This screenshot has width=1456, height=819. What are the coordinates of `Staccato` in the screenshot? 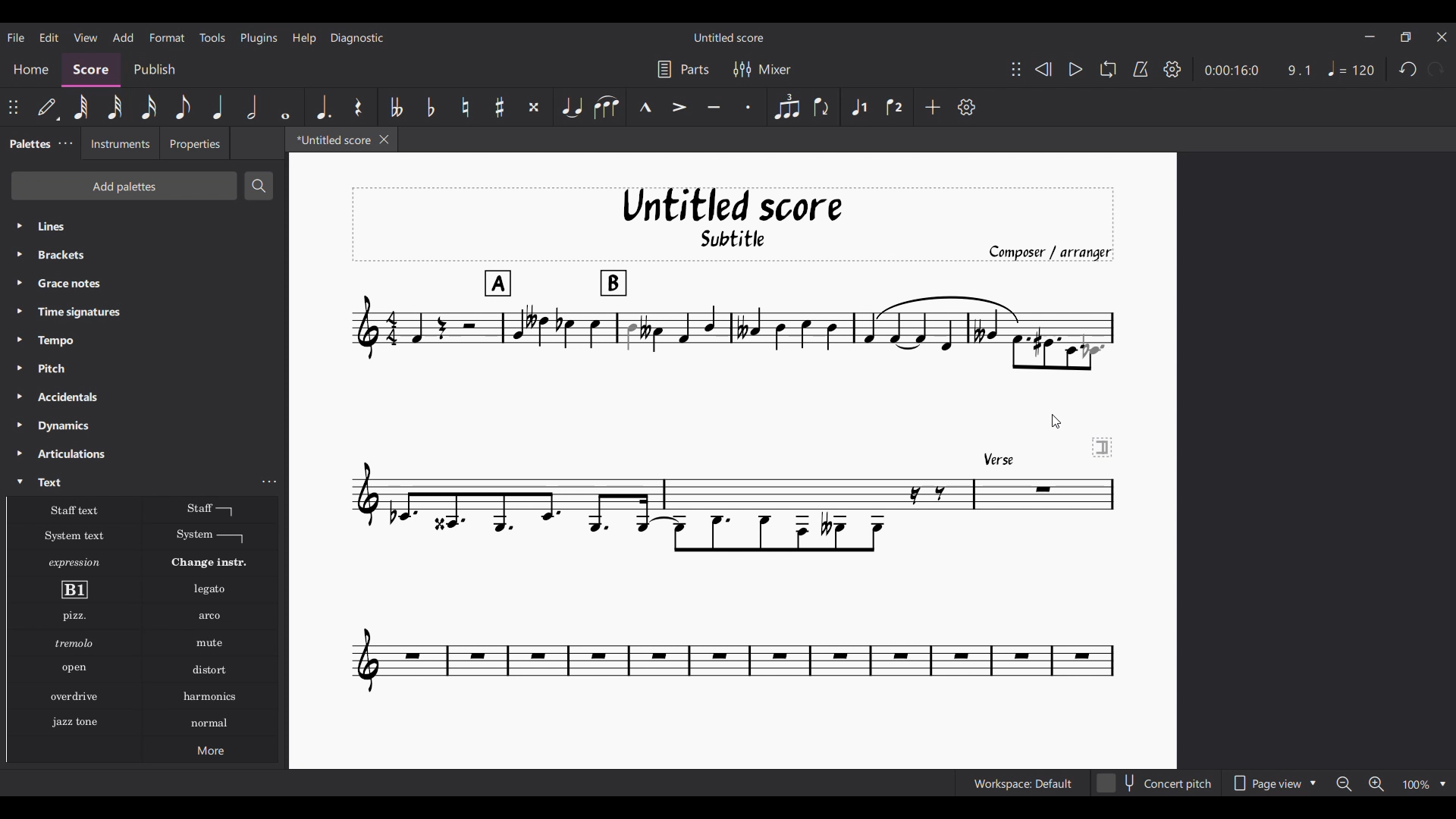 It's located at (748, 107).